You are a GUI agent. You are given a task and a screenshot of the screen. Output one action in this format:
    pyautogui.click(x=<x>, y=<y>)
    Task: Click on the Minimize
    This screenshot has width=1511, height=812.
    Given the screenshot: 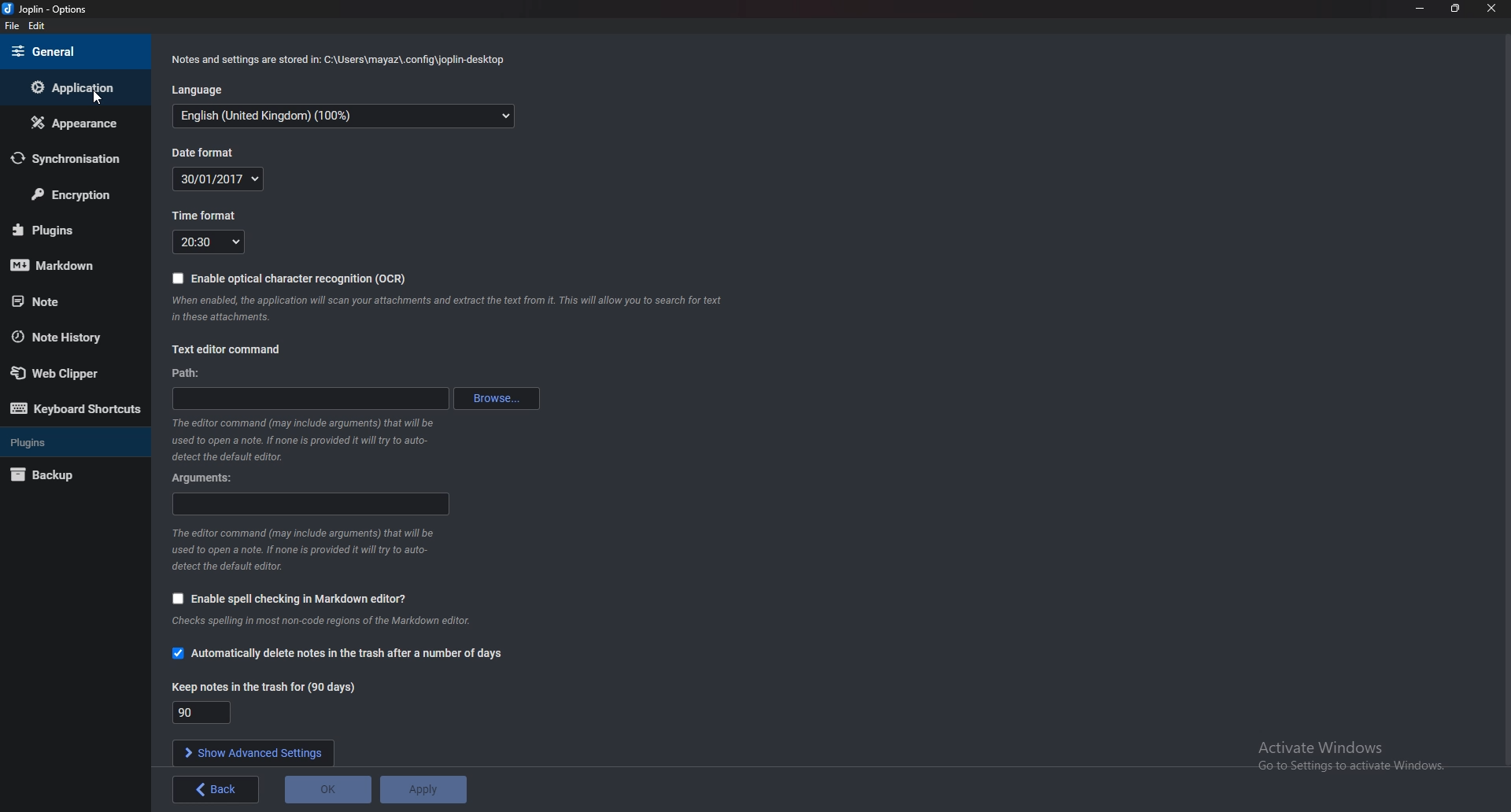 What is the action you would take?
    pyautogui.click(x=1420, y=8)
    